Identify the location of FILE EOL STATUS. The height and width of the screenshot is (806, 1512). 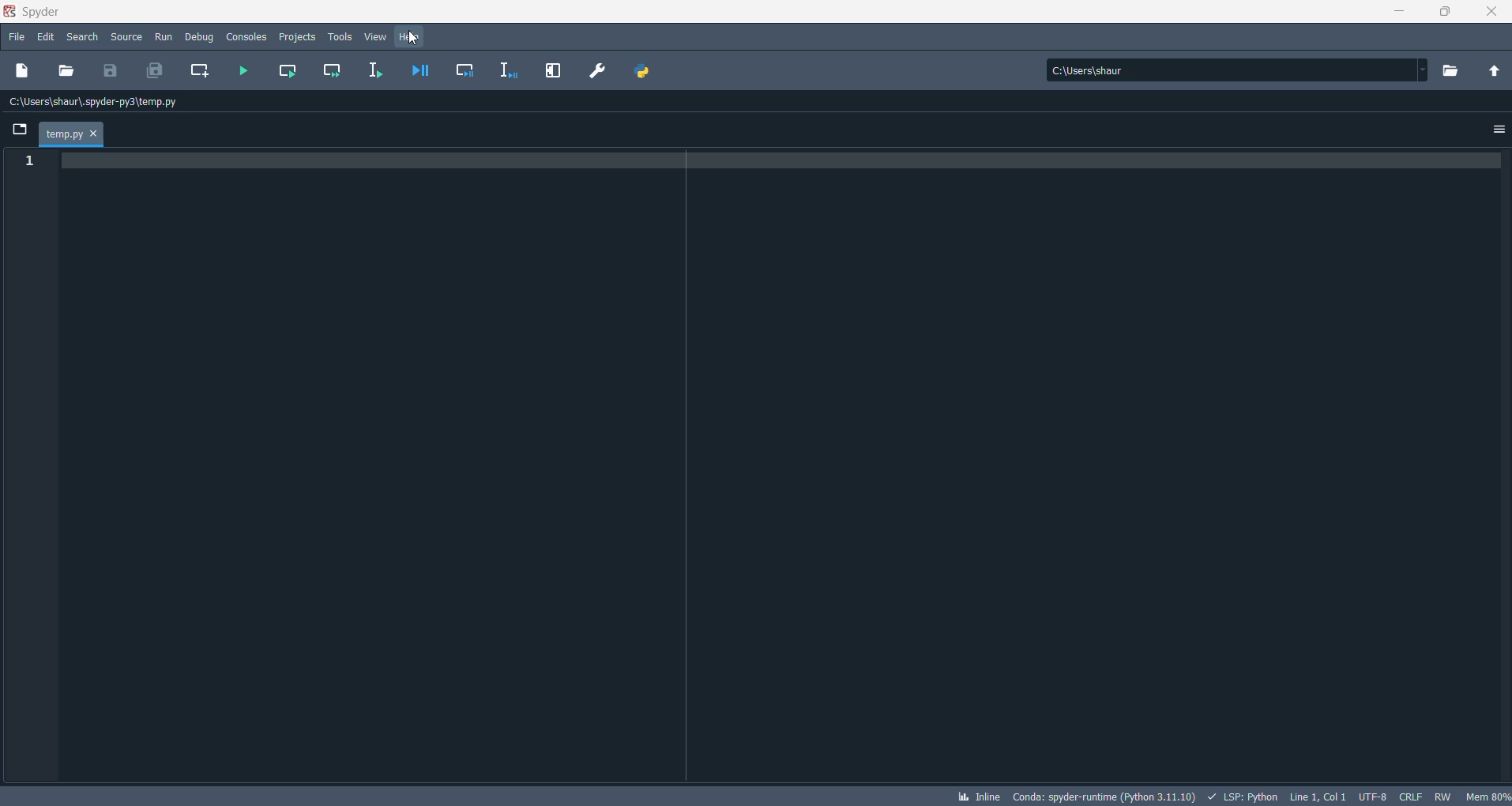
(1409, 797).